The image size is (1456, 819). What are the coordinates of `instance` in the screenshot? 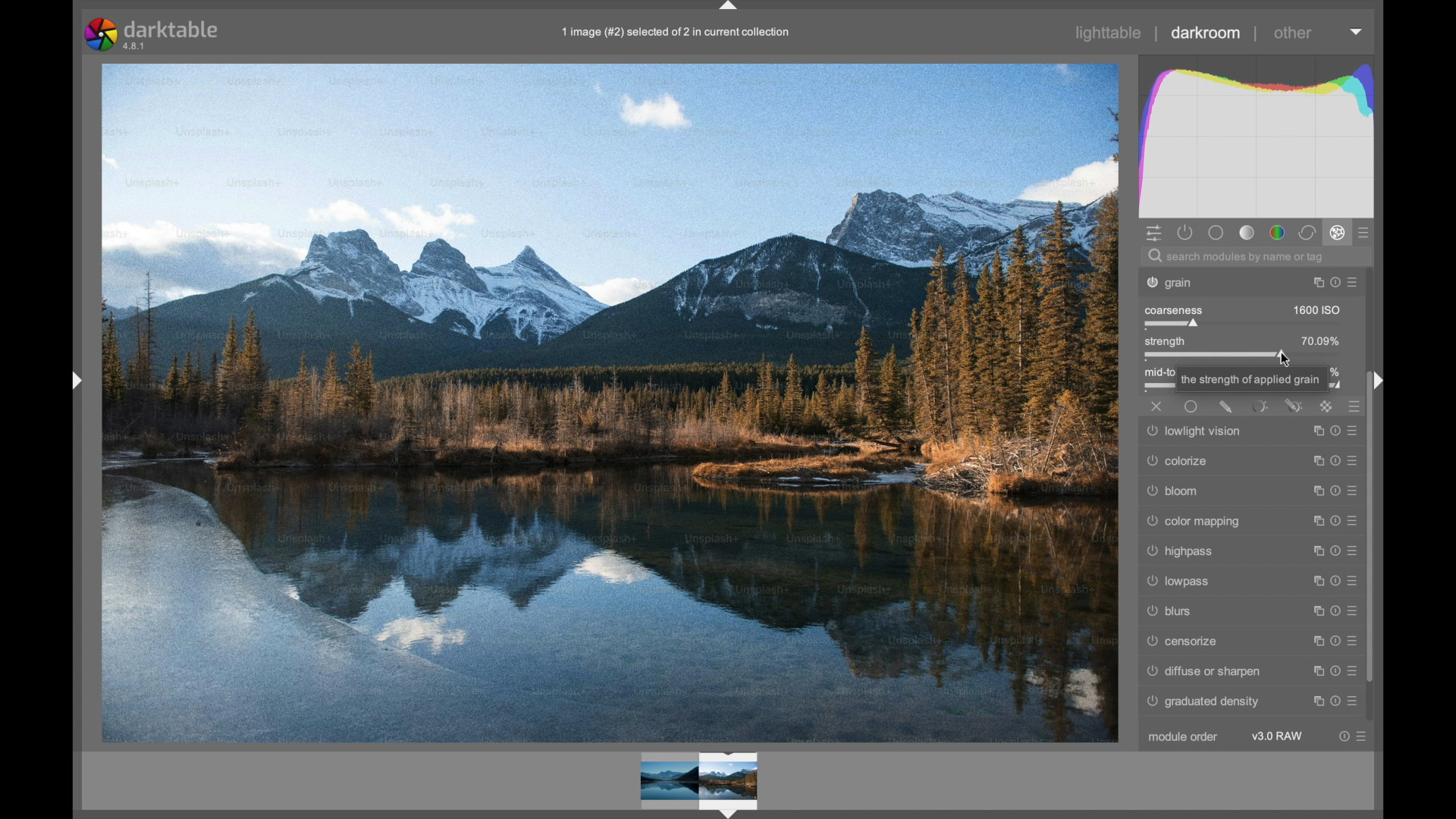 It's located at (1313, 491).